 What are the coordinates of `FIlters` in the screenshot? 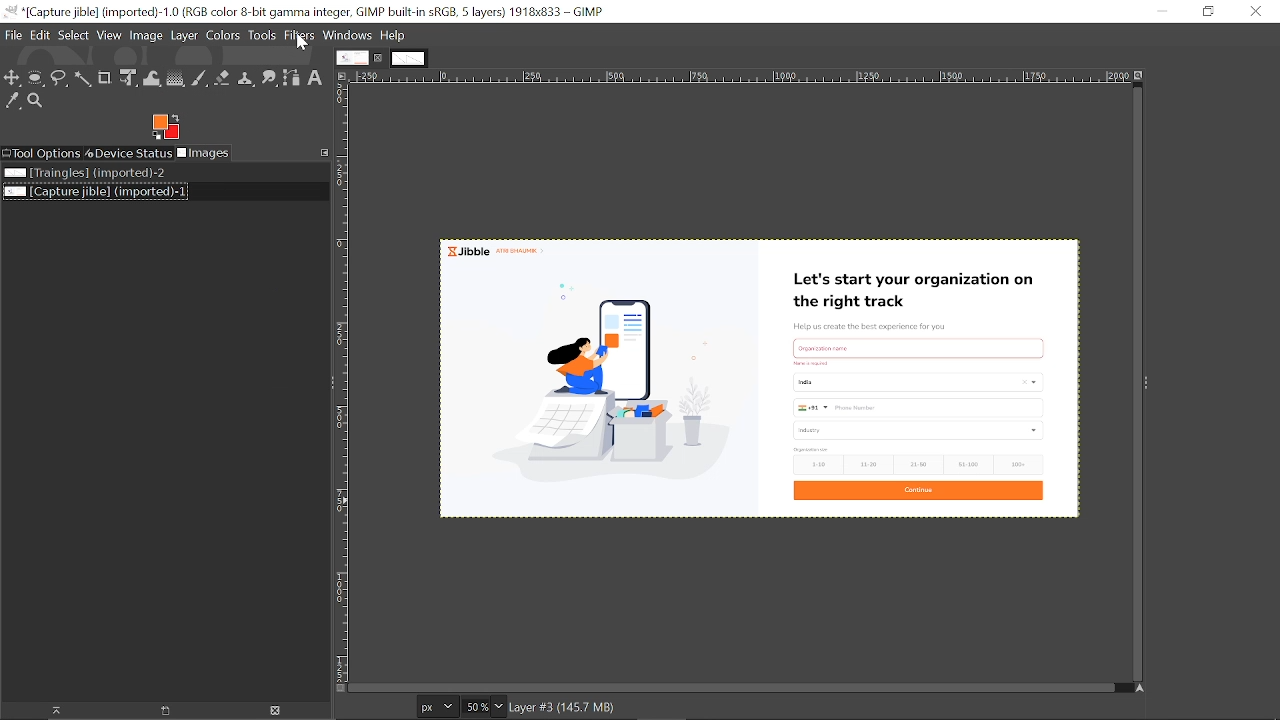 It's located at (301, 35).